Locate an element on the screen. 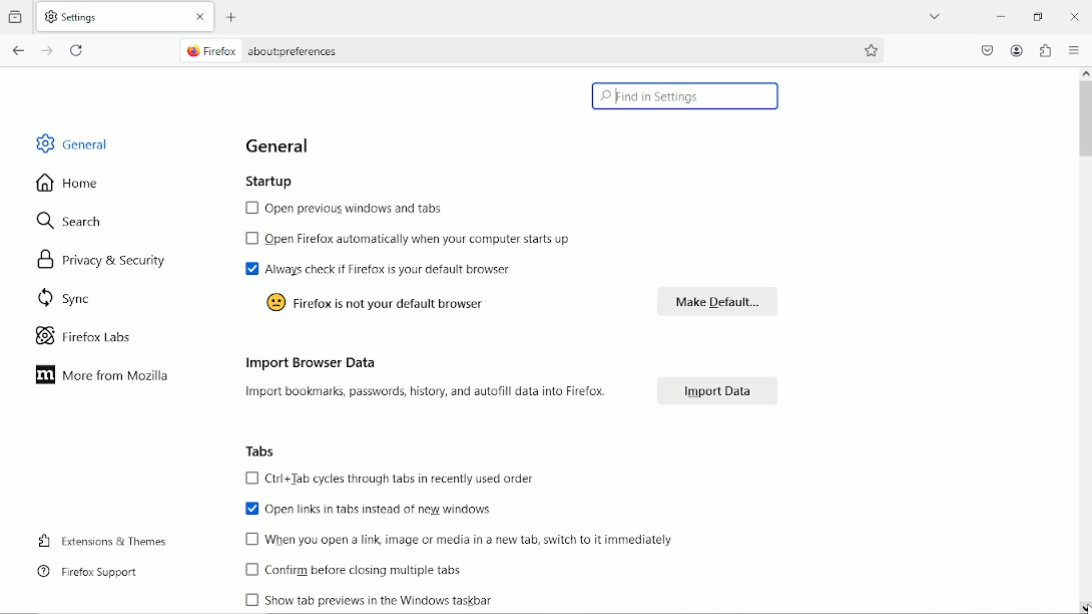 The image size is (1092, 614). Settings is located at coordinates (81, 16).